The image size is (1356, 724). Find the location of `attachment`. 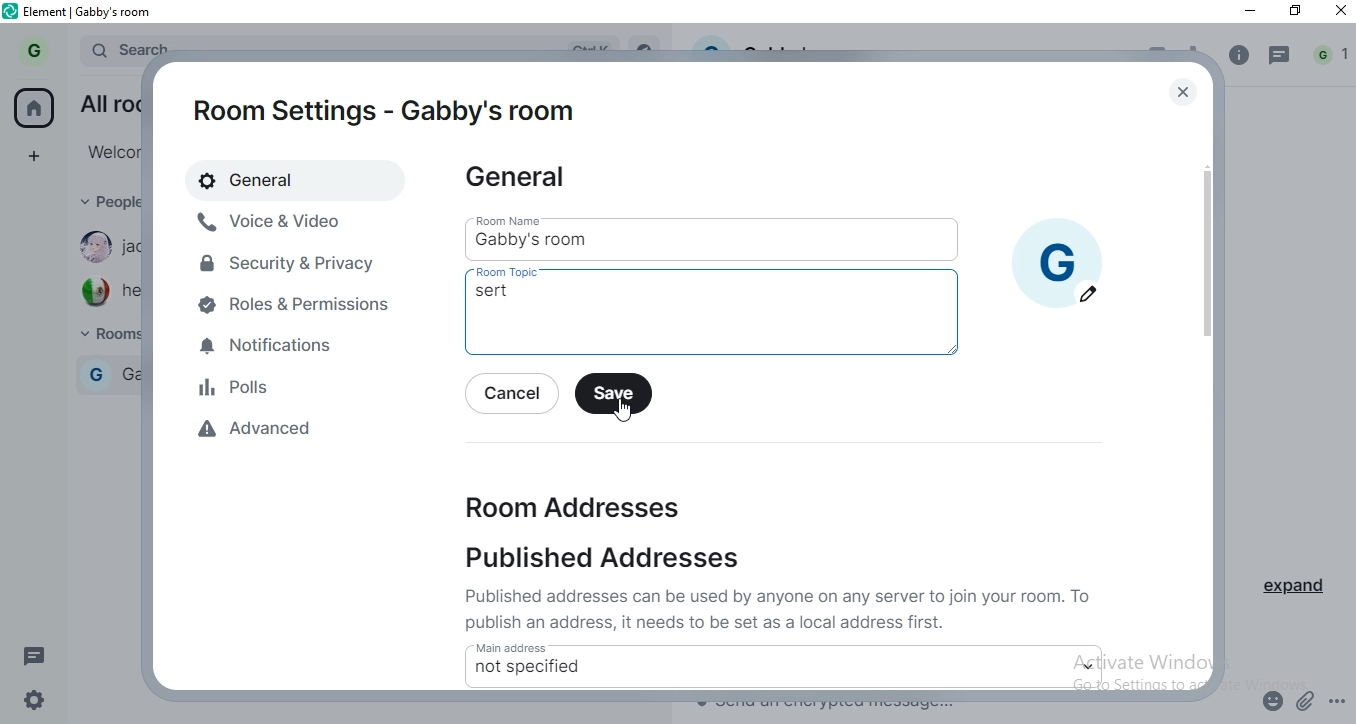

attachment is located at coordinates (1307, 700).